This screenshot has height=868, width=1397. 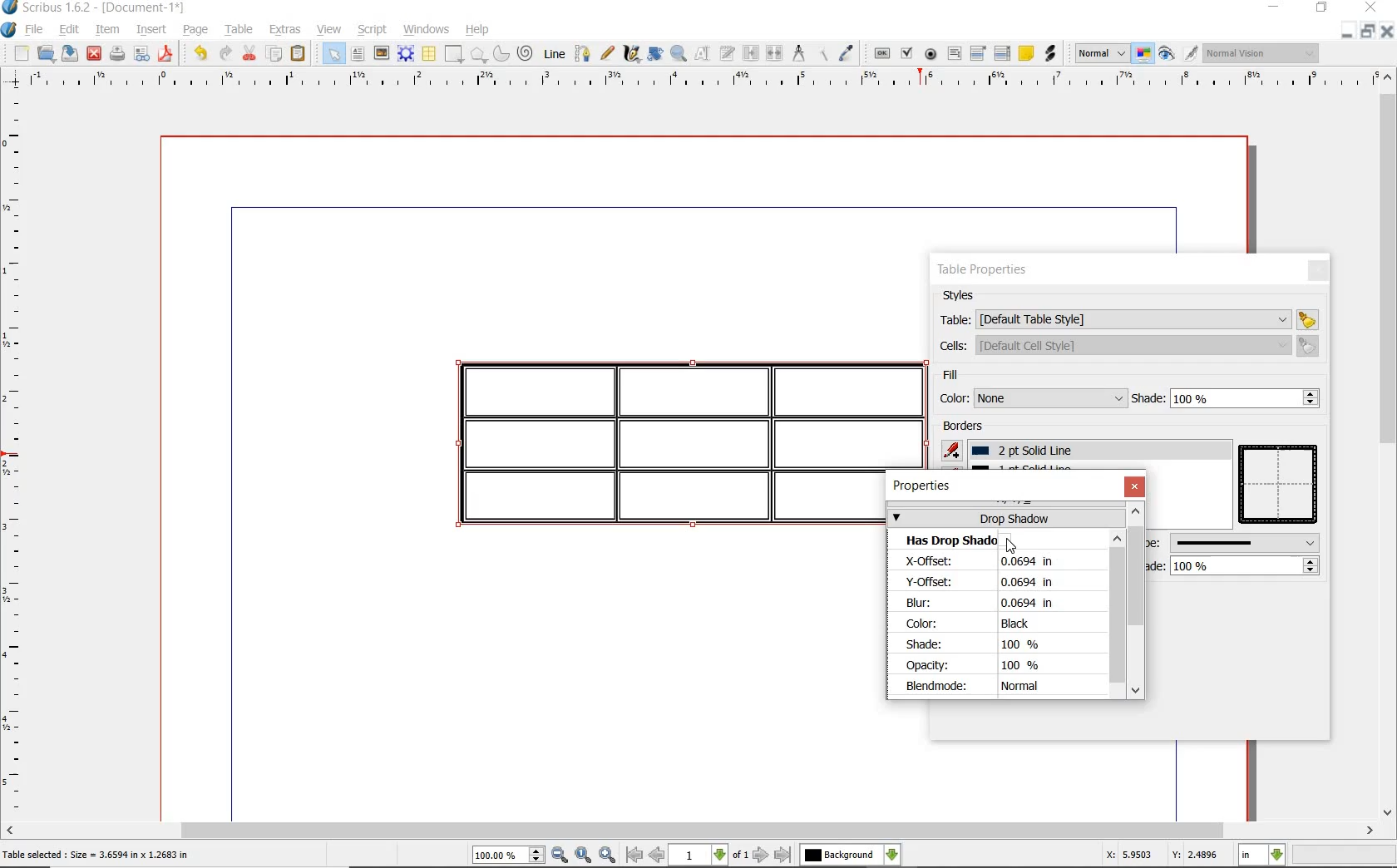 What do you see at coordinates (1389, 30) in the screenshot?
I see `CLOSE` at bounding box center [1389, 30].